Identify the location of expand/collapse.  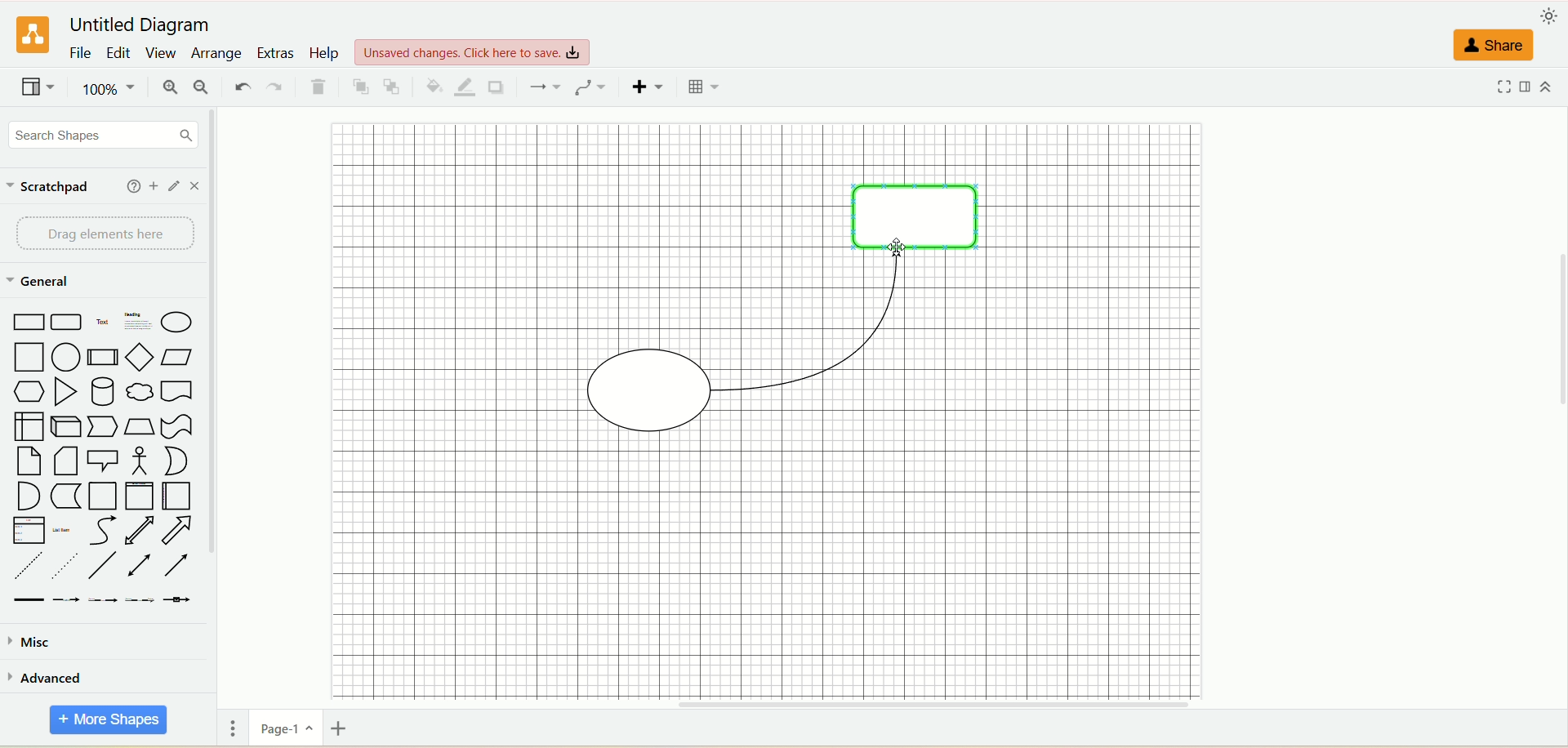
(1549, 87).